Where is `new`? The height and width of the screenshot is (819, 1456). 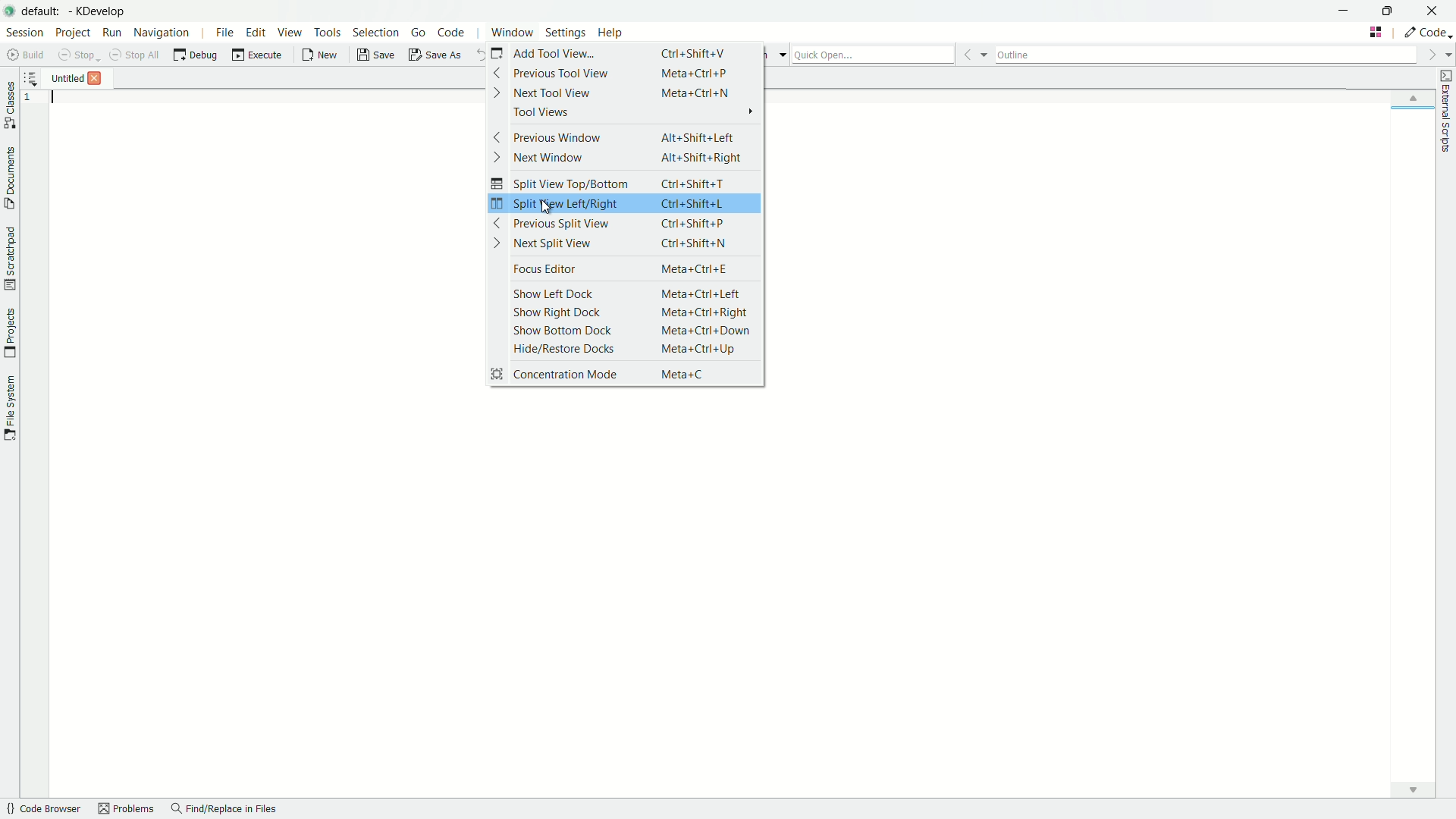
new is located at coordinates (319, 55).